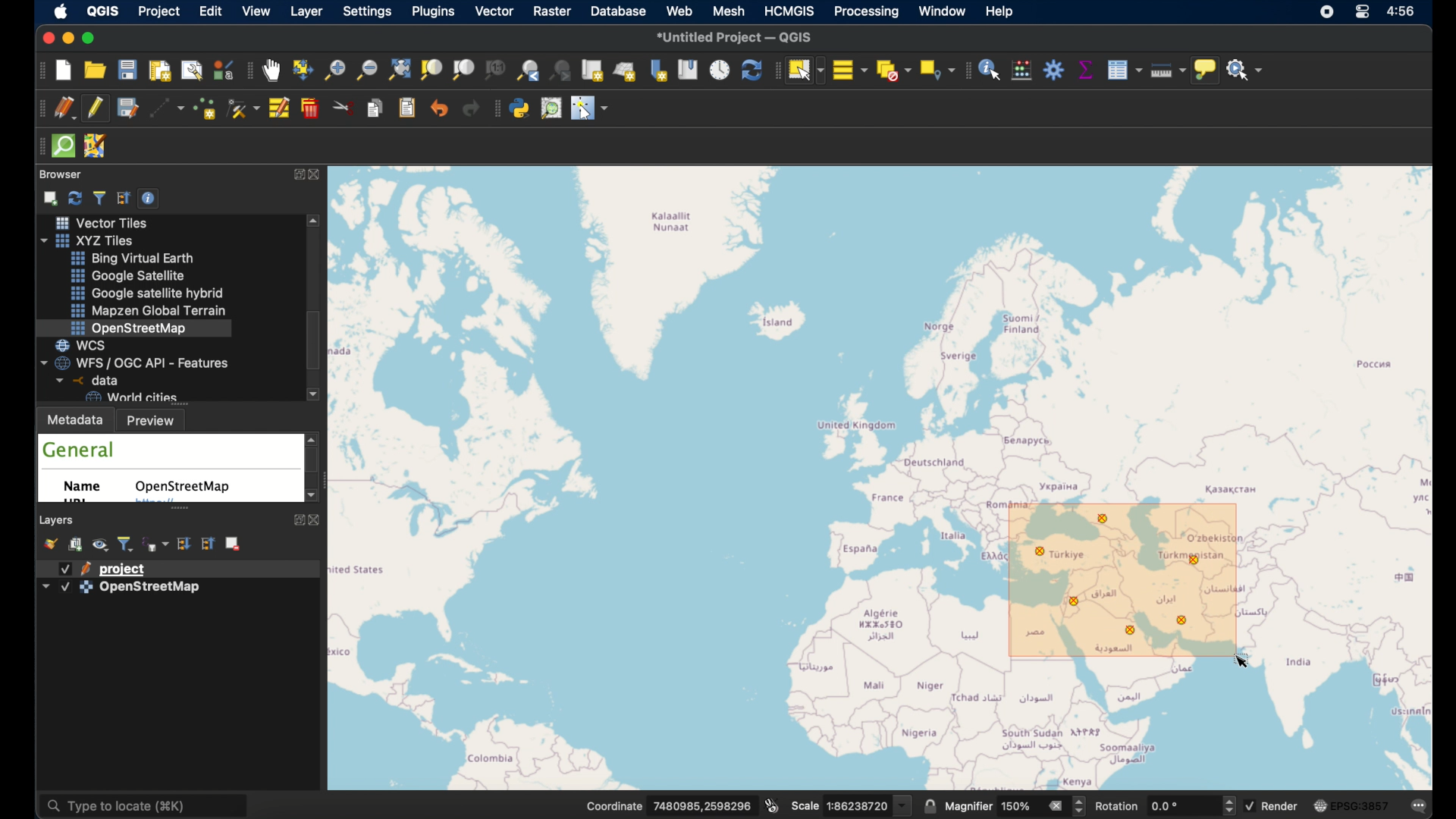 This screenshot has height=819, width=1456. Describe the element at coordinates (207, 543) in the screenshot. I see `collapse all` at that location.